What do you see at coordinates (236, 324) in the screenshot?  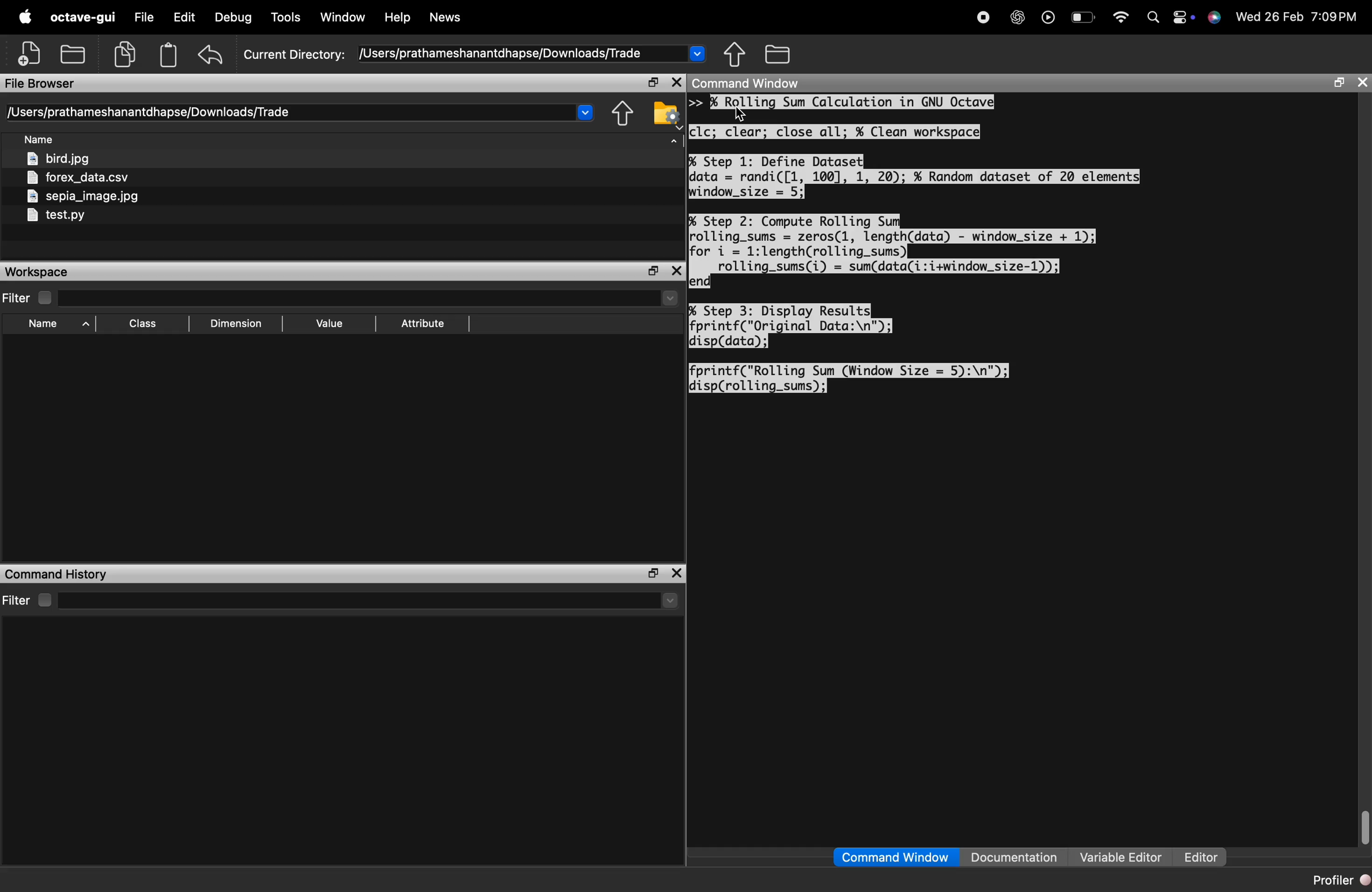 I see `sort by dimension` at bounding box center [236, 324].